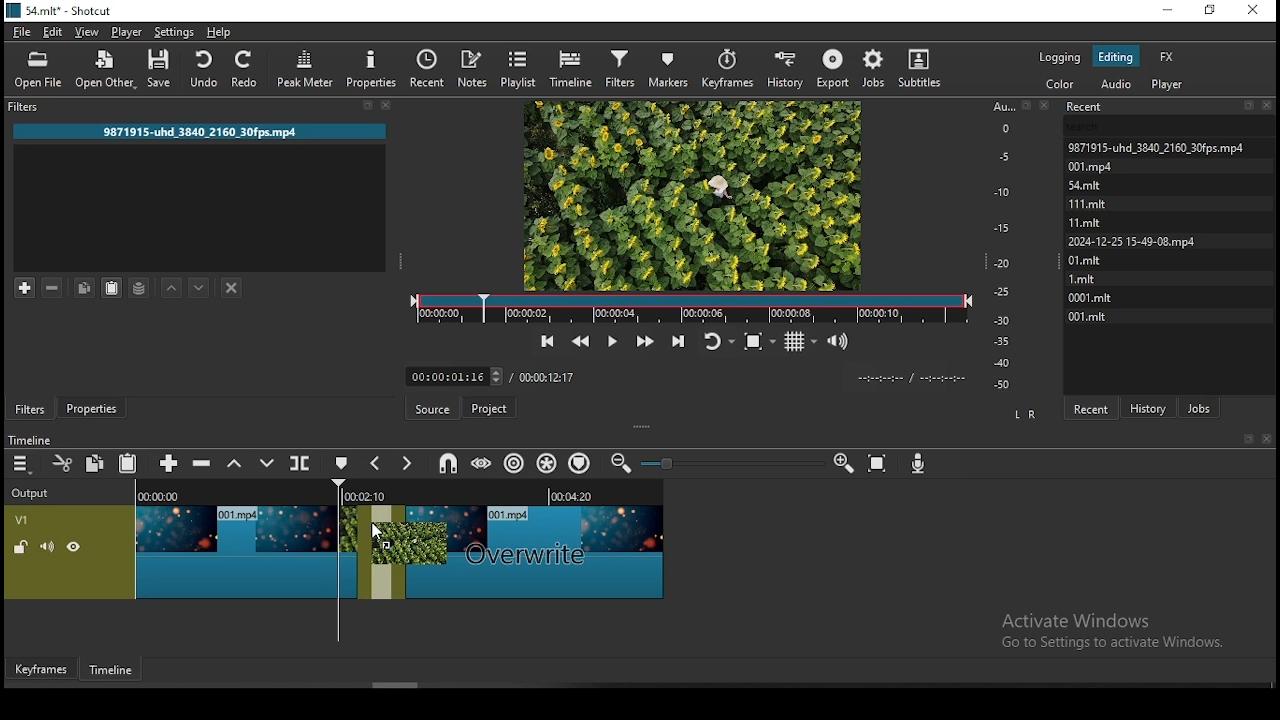 The image size is (1280, 720). What do you see at coordinates (690, 308) in the screenshot?
I see `Progress bar` at bounding box center [690, 308].